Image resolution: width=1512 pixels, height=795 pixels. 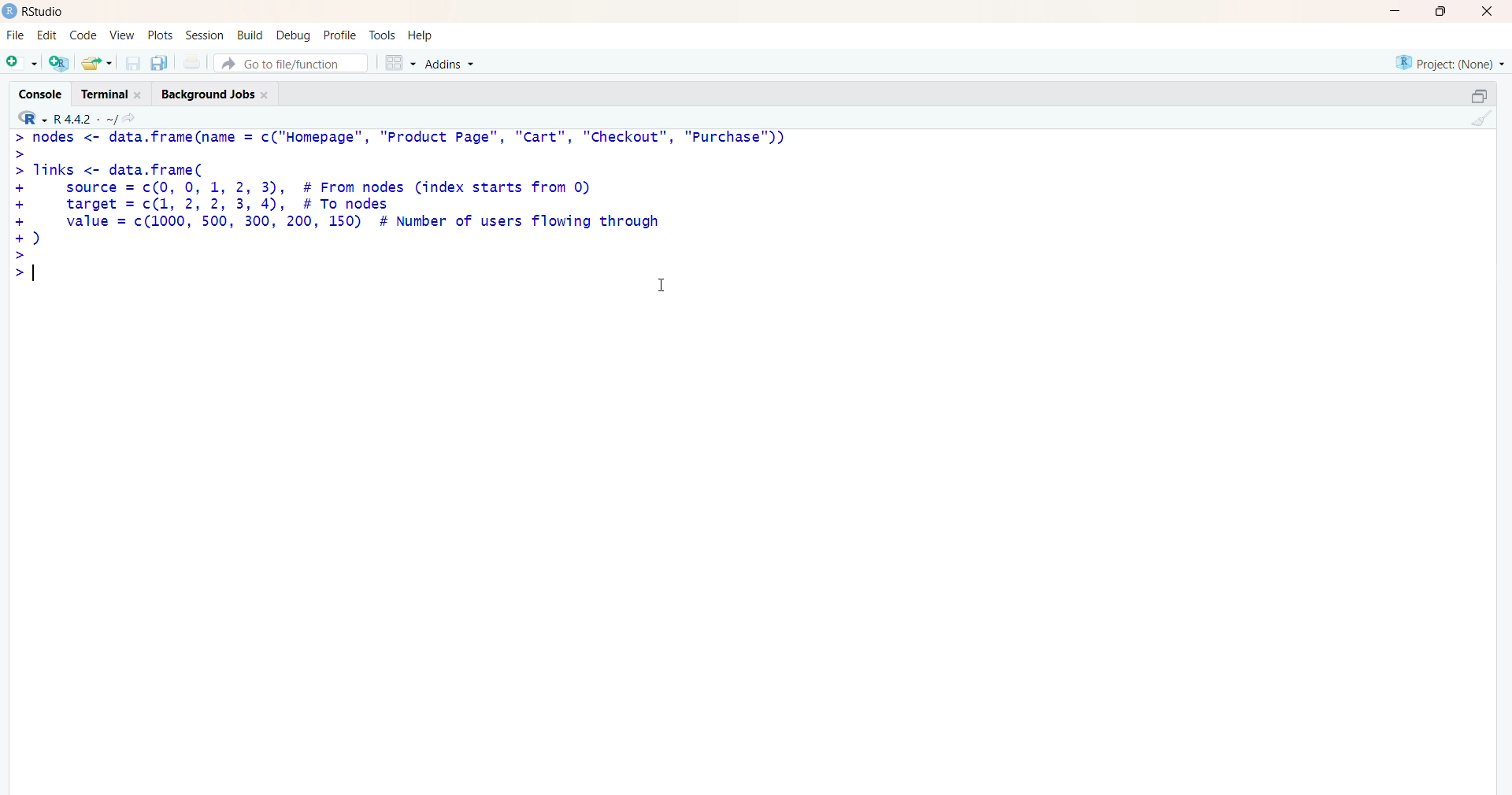 What do you see at coordinates (161, 63) in the screenshot?
I see `duplicate` at bounding box center [161, 63].